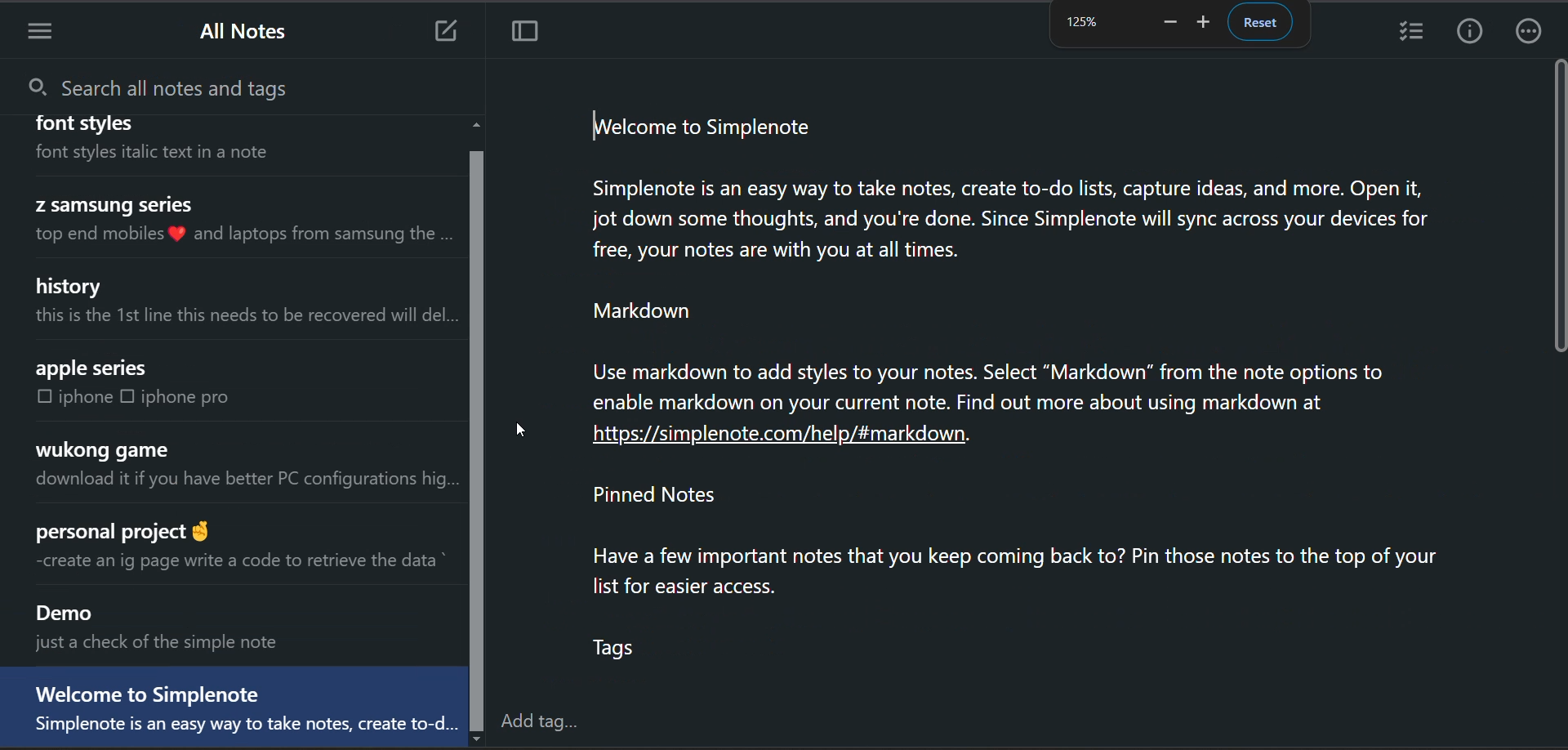  Describe the element at coordinates (194, 87) in the screenshot. I see `search` at that location.